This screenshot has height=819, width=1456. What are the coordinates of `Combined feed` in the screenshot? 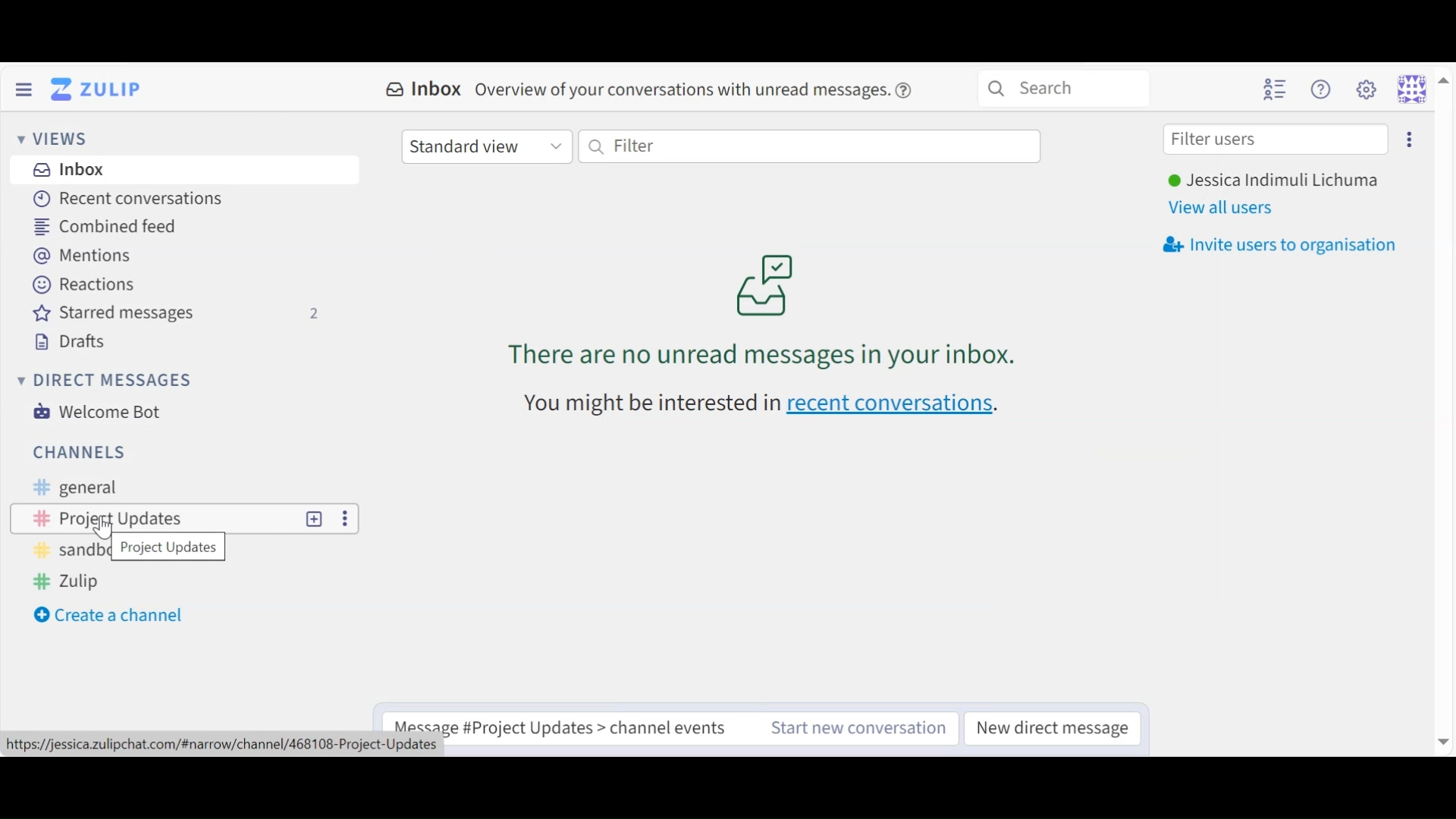 It's located at (116, 226).